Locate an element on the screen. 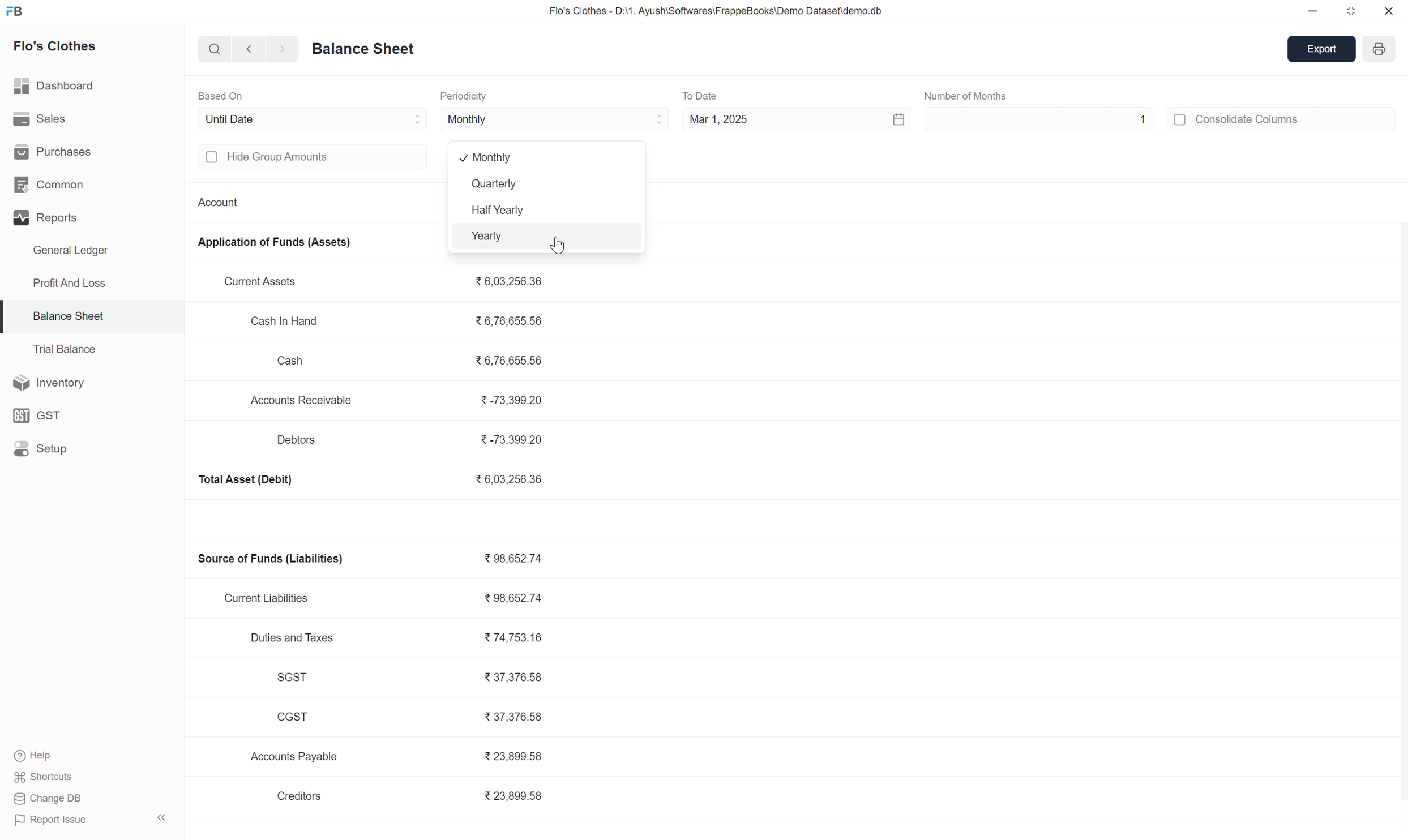  off is located at coordinates (212, 157).